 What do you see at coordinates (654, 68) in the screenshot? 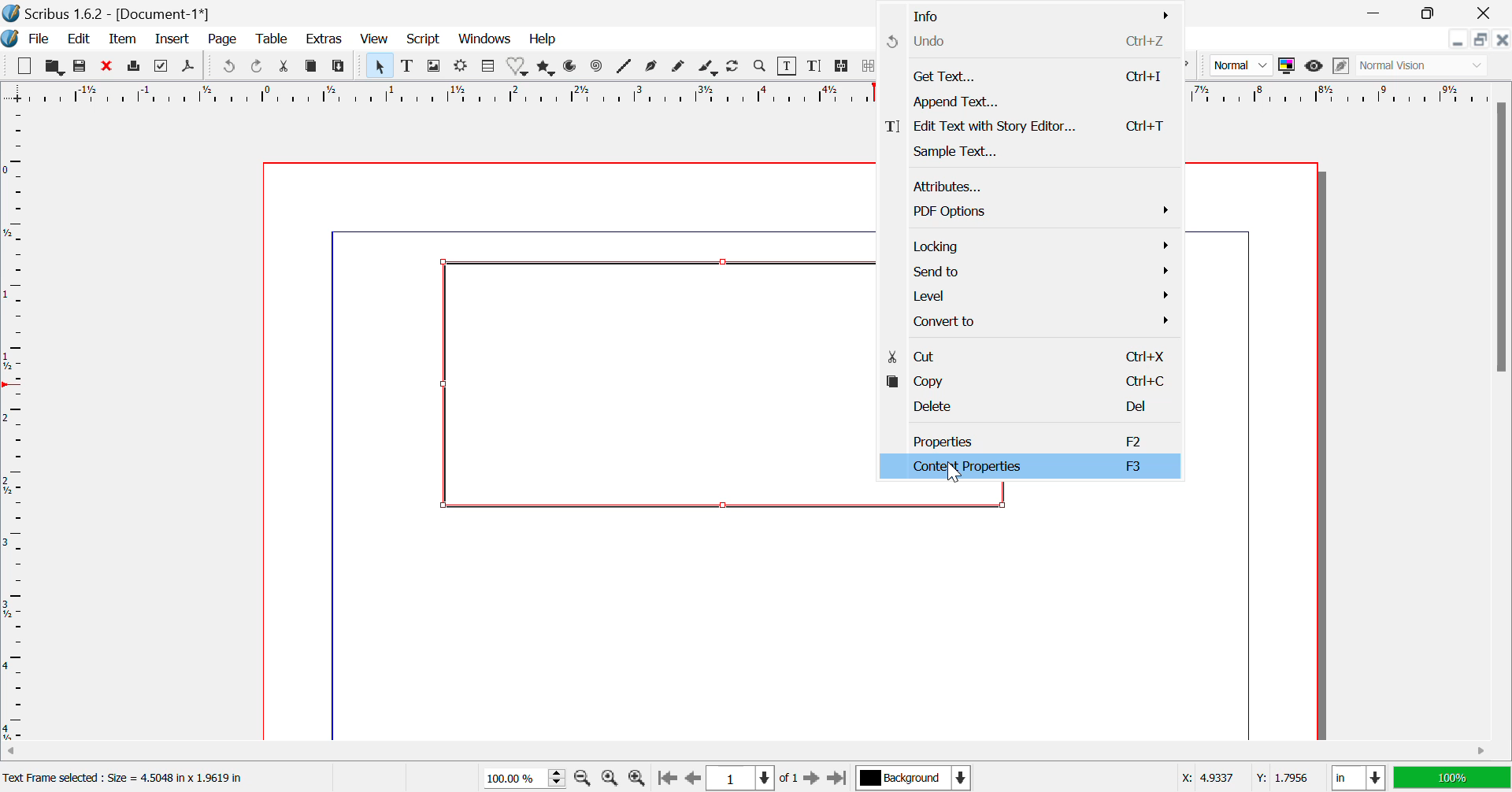
I see `Bezier Curve` at bounding box center [654, 68].